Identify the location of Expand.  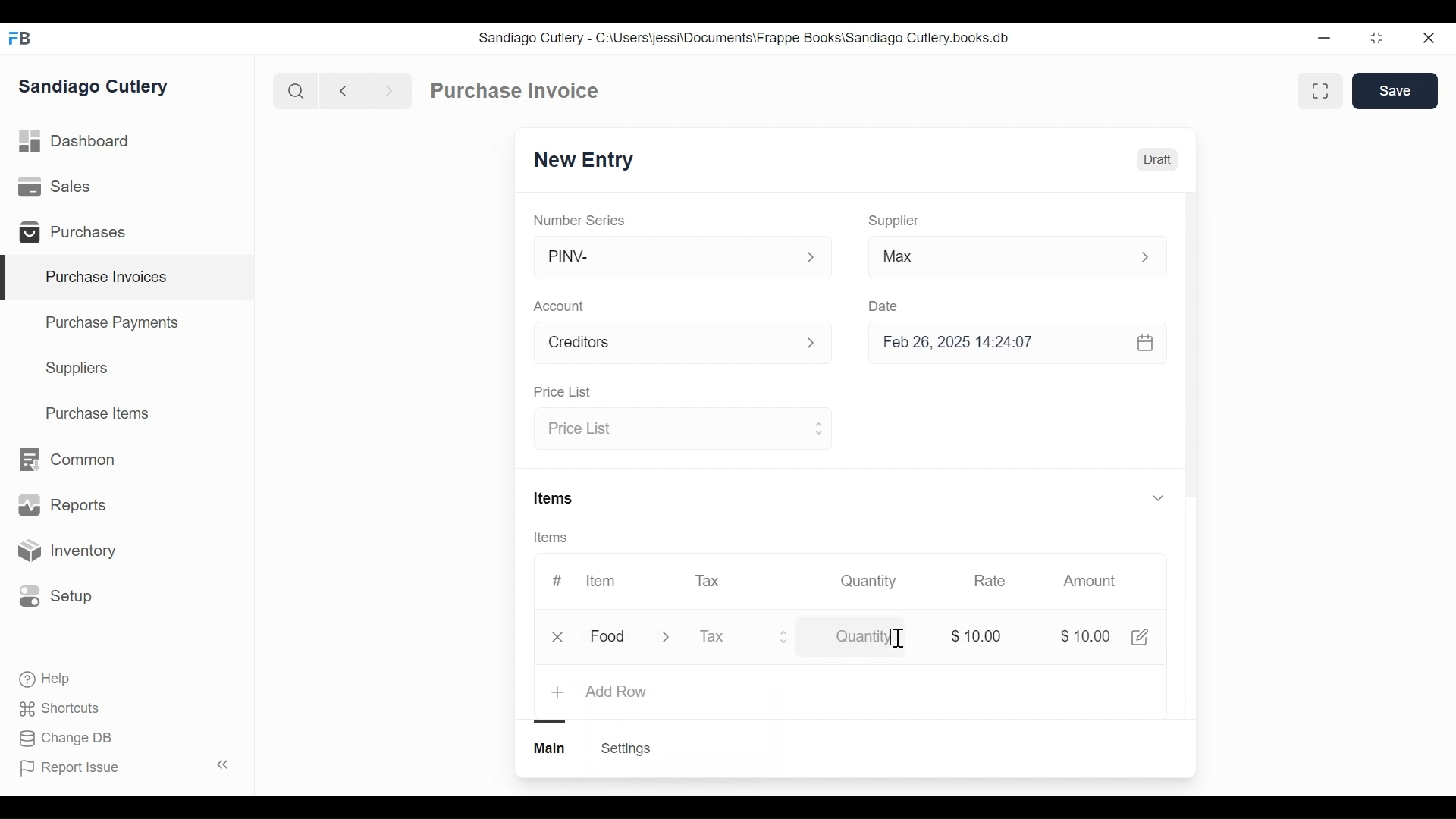
(817, 427).